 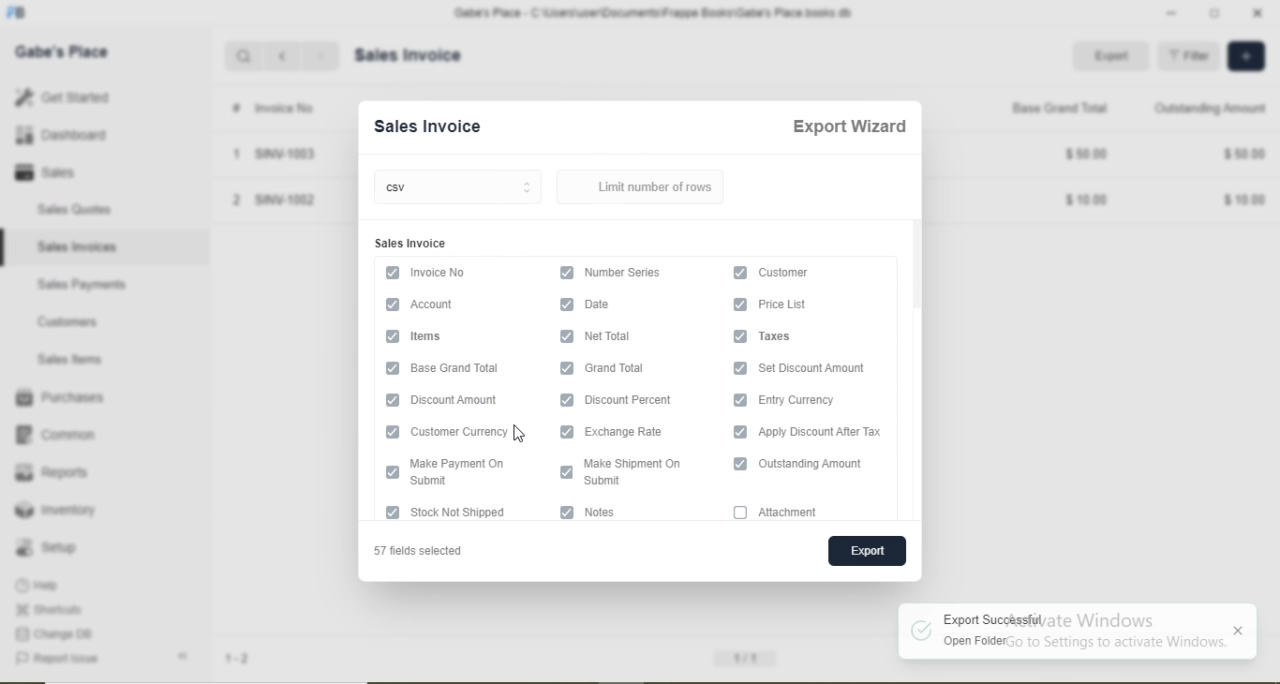 I want to click on 1 SINV-1003, so click(x=271, y=155).